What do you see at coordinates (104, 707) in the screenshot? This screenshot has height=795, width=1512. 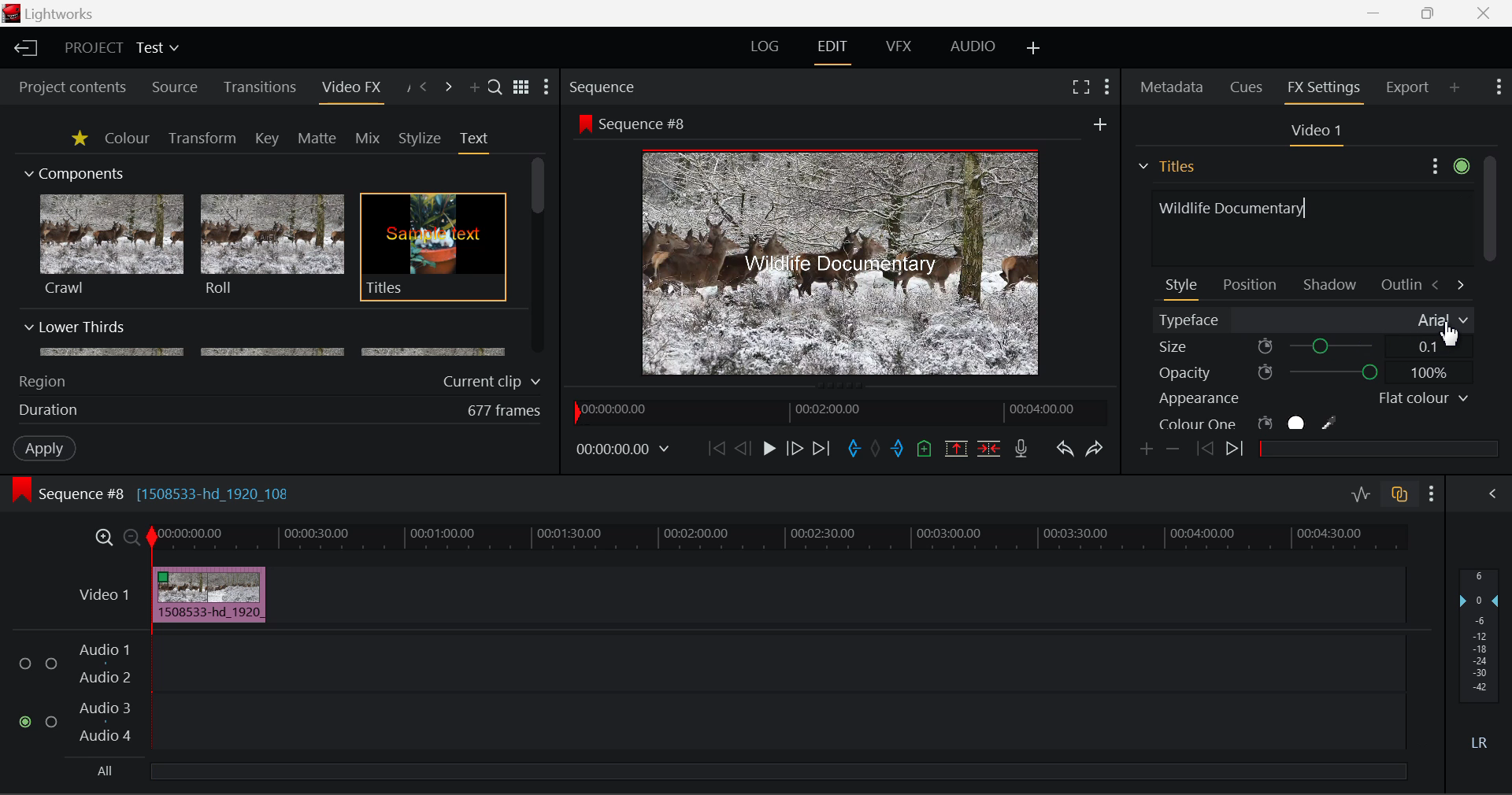 I see `Audio 3` at bounding box center [104, 707].